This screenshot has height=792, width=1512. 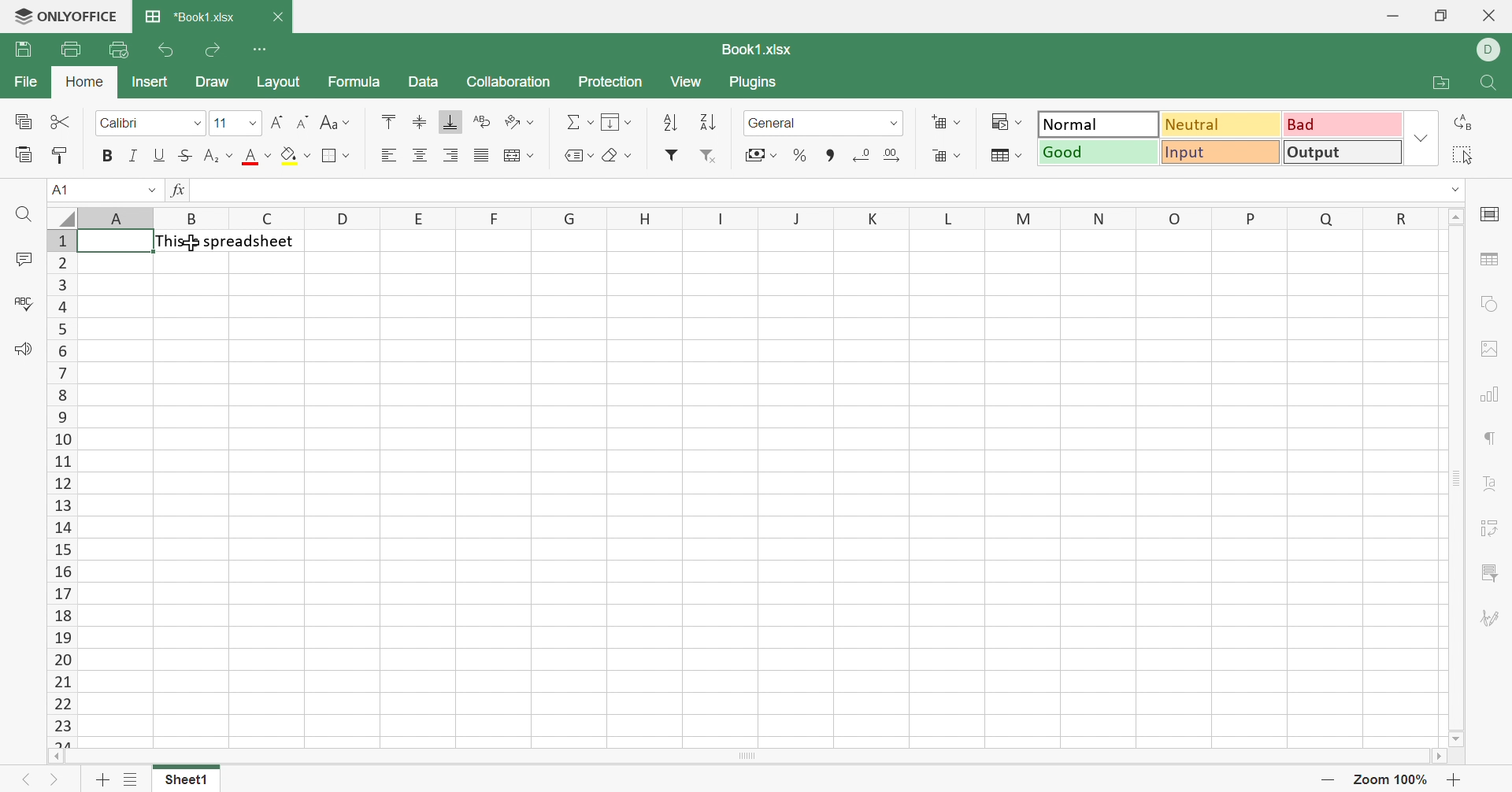 I want to click on fx, so click(x=180, y=189).